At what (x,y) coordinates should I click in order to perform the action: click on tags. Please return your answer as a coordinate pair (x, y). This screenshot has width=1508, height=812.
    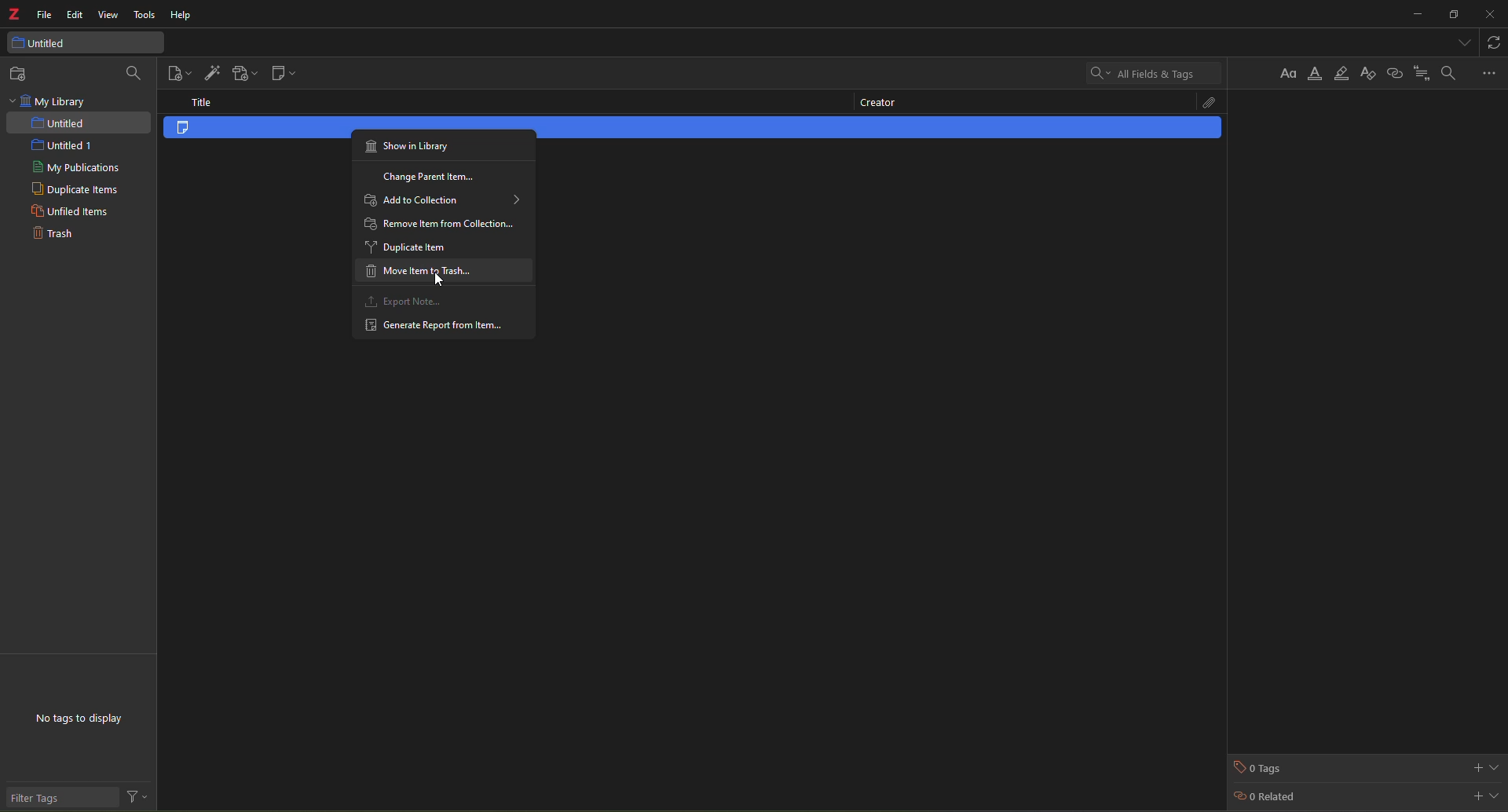
    Looking at the image, I should click on (1262, 767).